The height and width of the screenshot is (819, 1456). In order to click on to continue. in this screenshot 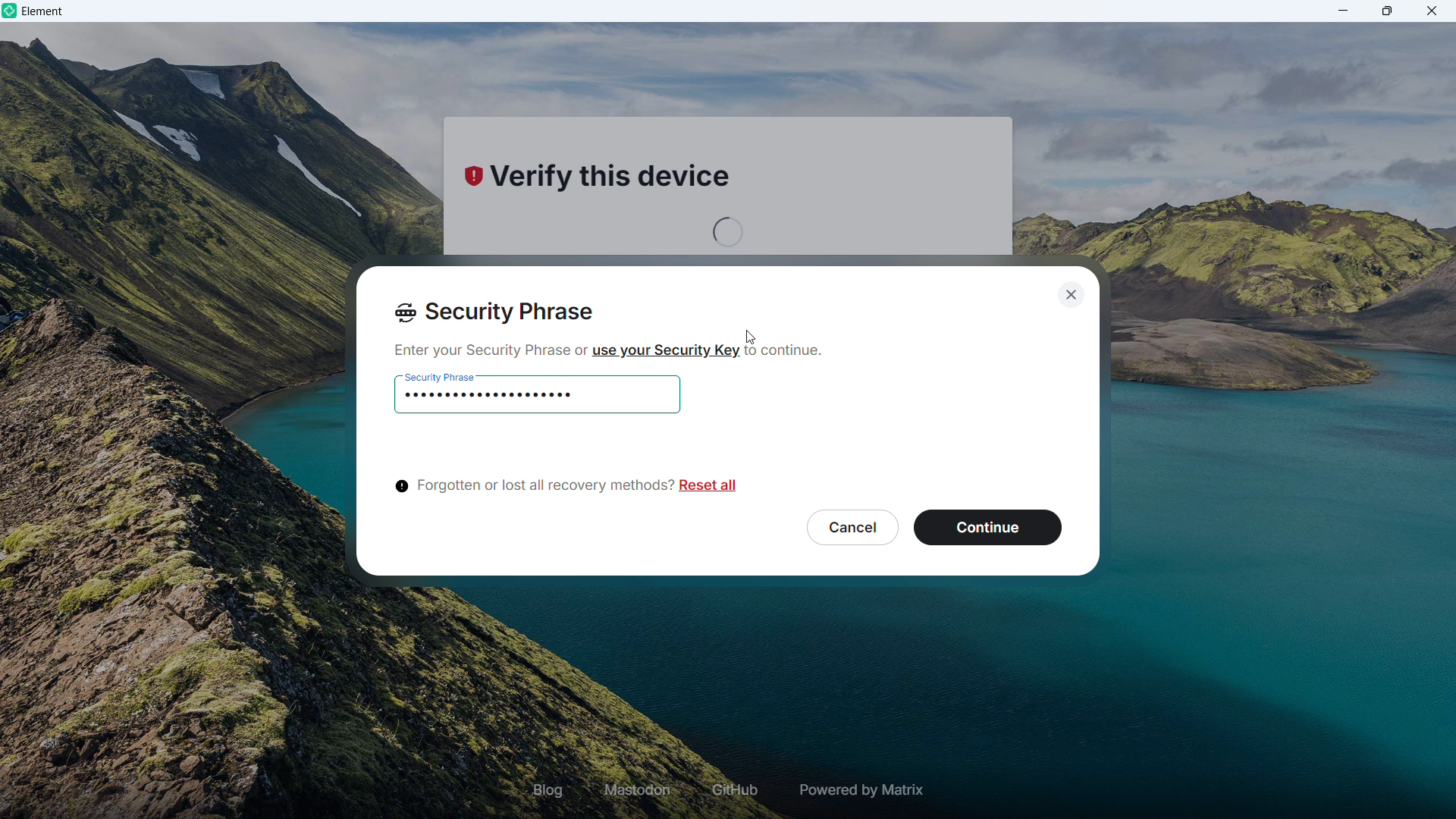, I will do `click(790, 355)`.